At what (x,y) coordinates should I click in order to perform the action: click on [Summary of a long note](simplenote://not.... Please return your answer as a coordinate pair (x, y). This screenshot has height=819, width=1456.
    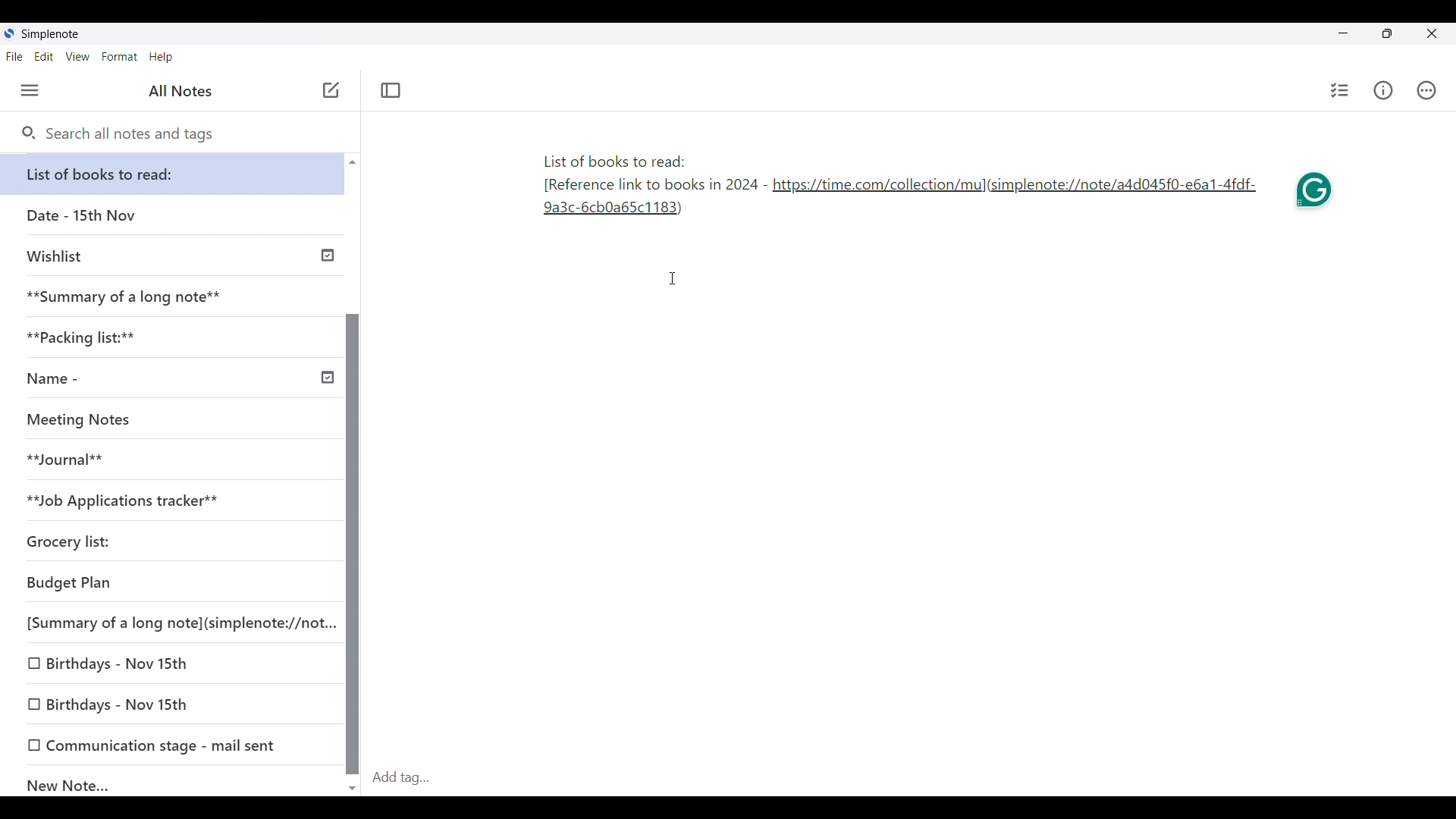
    Looking at the image, I should click on (177, 623).